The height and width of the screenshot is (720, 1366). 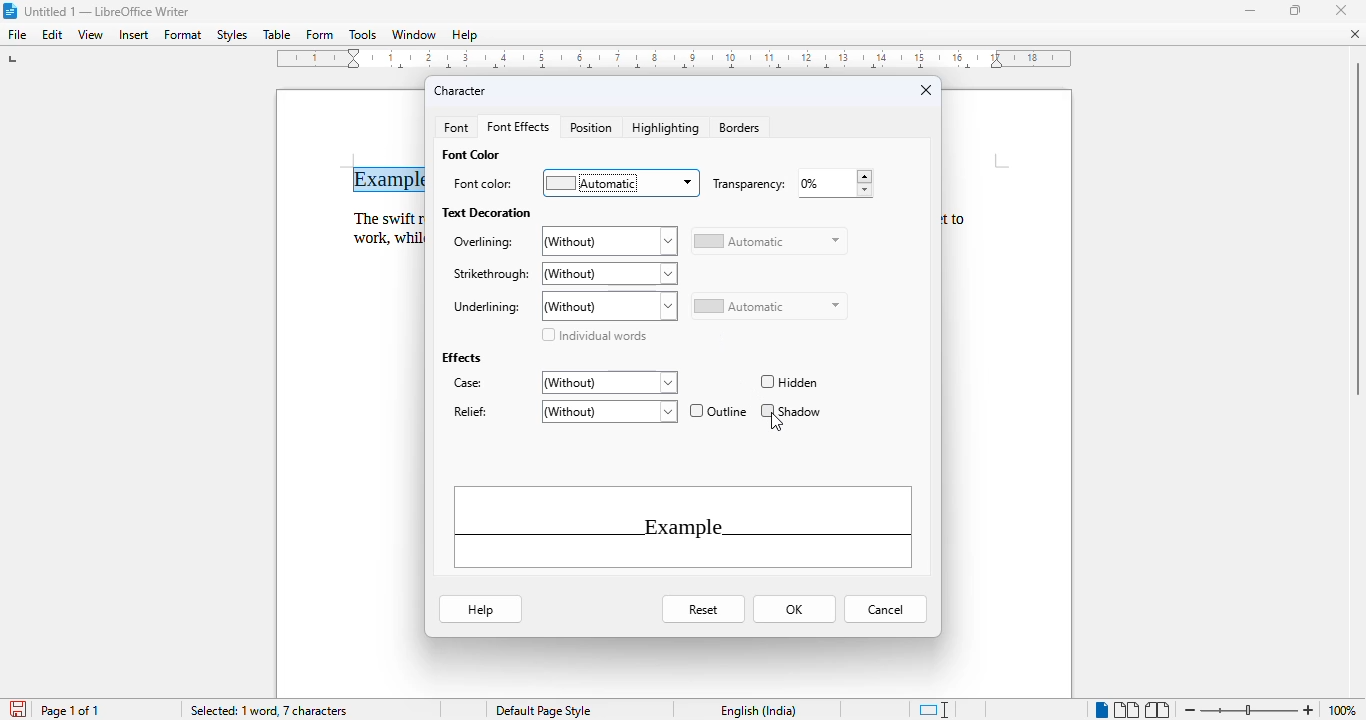 What do you see at coordinates (563, 274) in the screenshot?
I see `strikethrough: (Without)` at bounding box center [563, 274].